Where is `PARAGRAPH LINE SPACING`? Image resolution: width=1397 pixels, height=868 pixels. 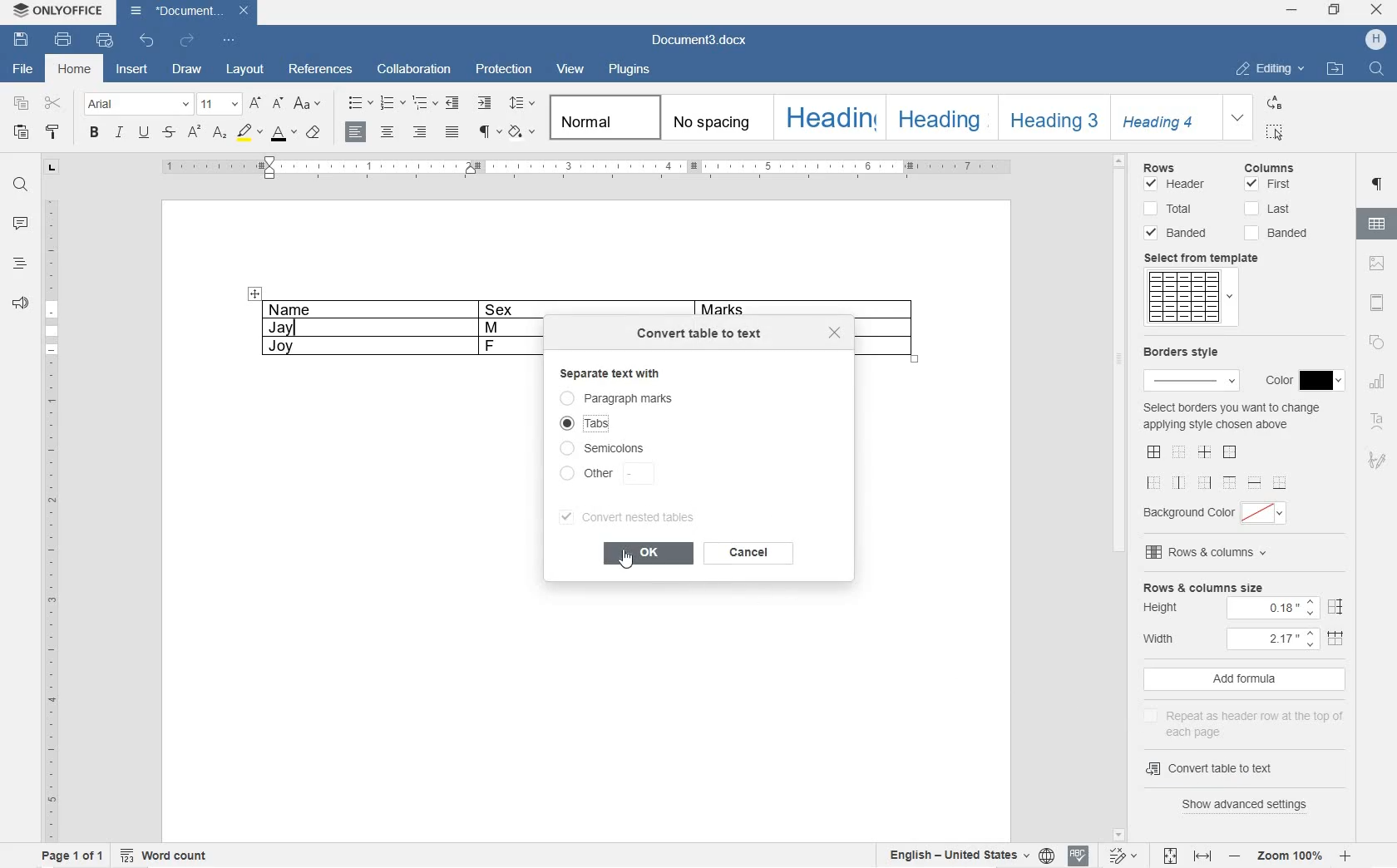 PARAGRAPH LINE SPACING is located at coordinates (521, 104).